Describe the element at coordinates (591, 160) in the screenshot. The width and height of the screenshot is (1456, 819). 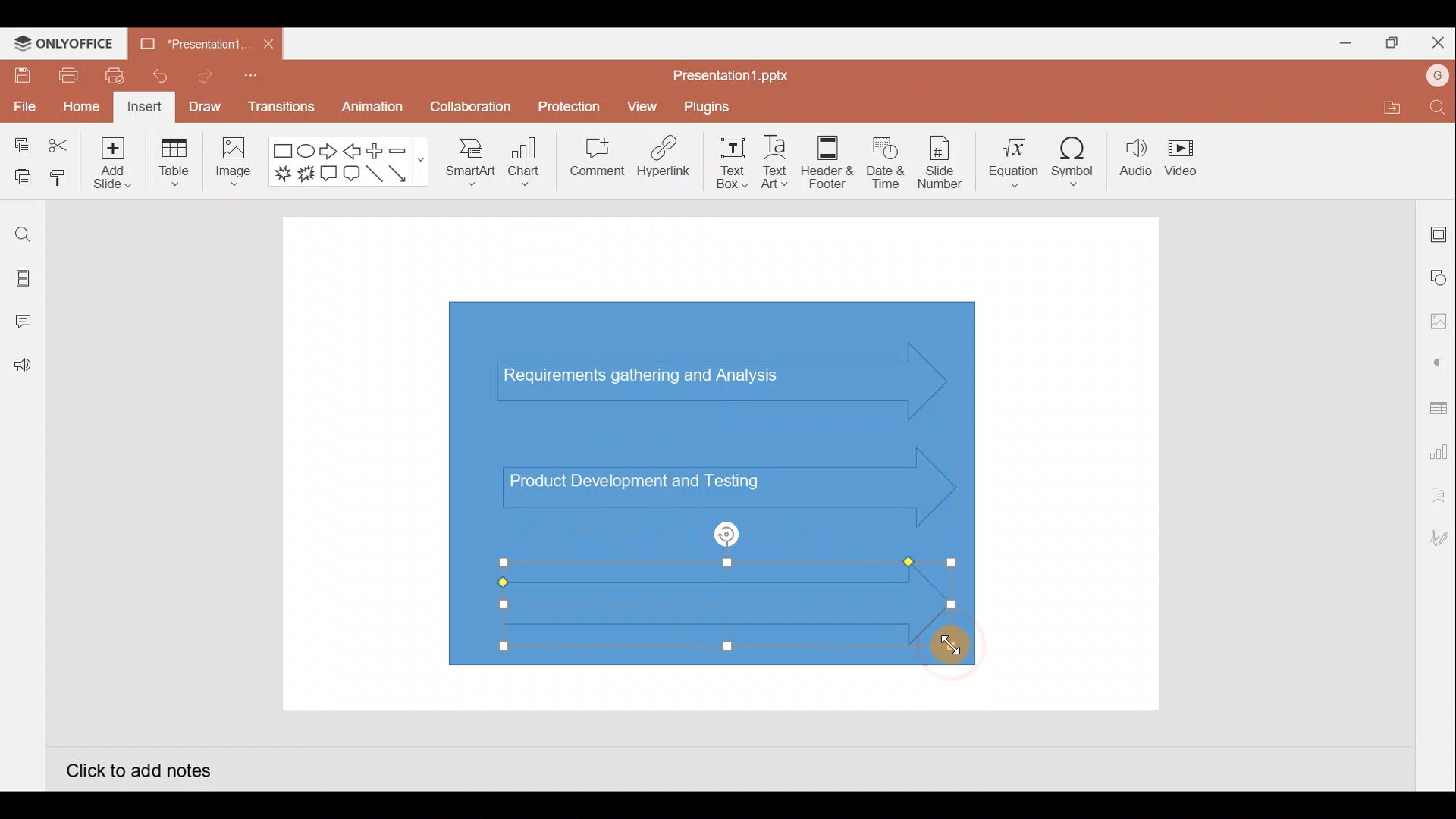
I see `Comment` at that location.